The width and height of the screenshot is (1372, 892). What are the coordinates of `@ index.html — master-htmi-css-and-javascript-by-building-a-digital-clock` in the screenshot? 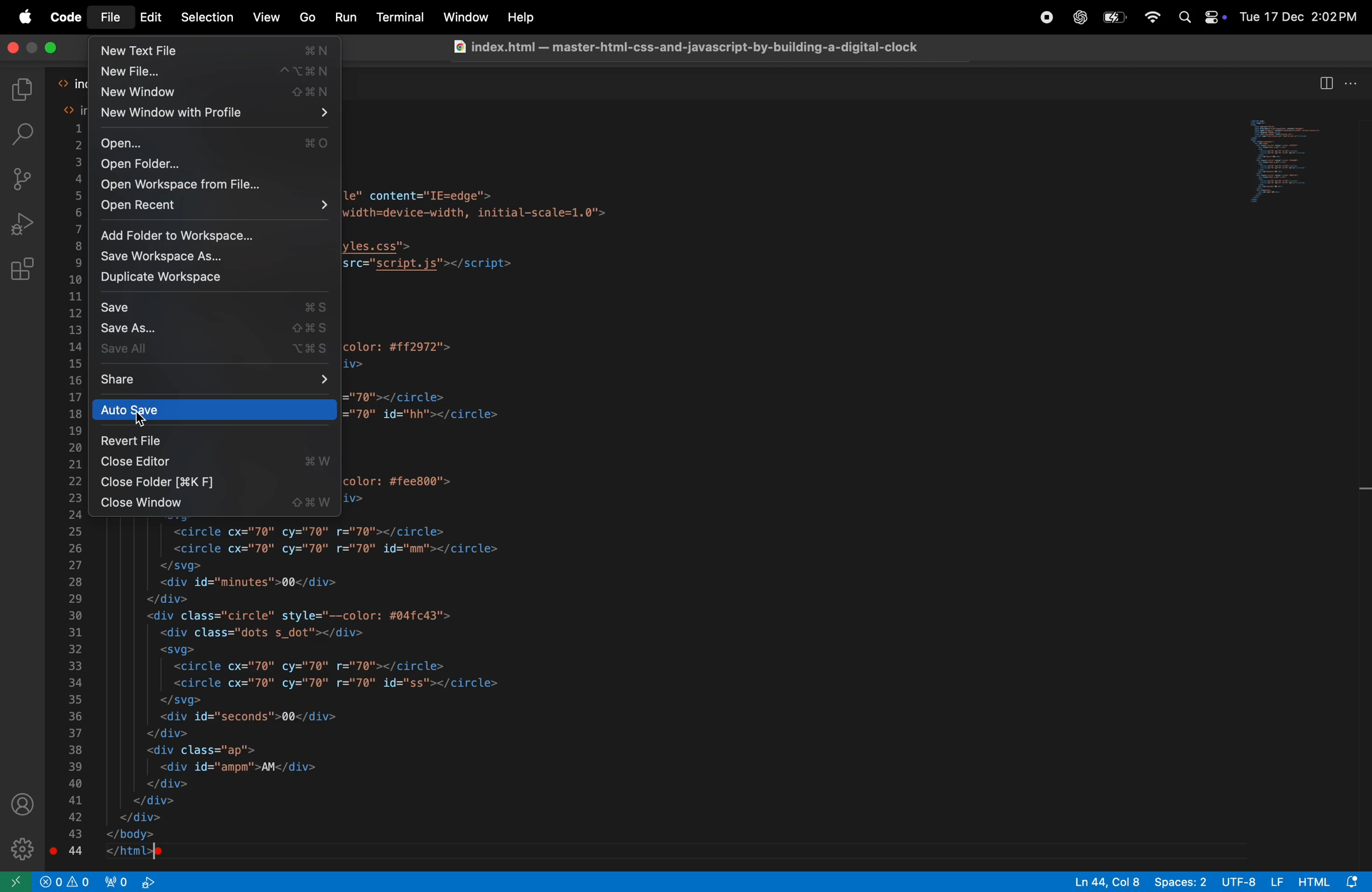 It's located at (696, 47).